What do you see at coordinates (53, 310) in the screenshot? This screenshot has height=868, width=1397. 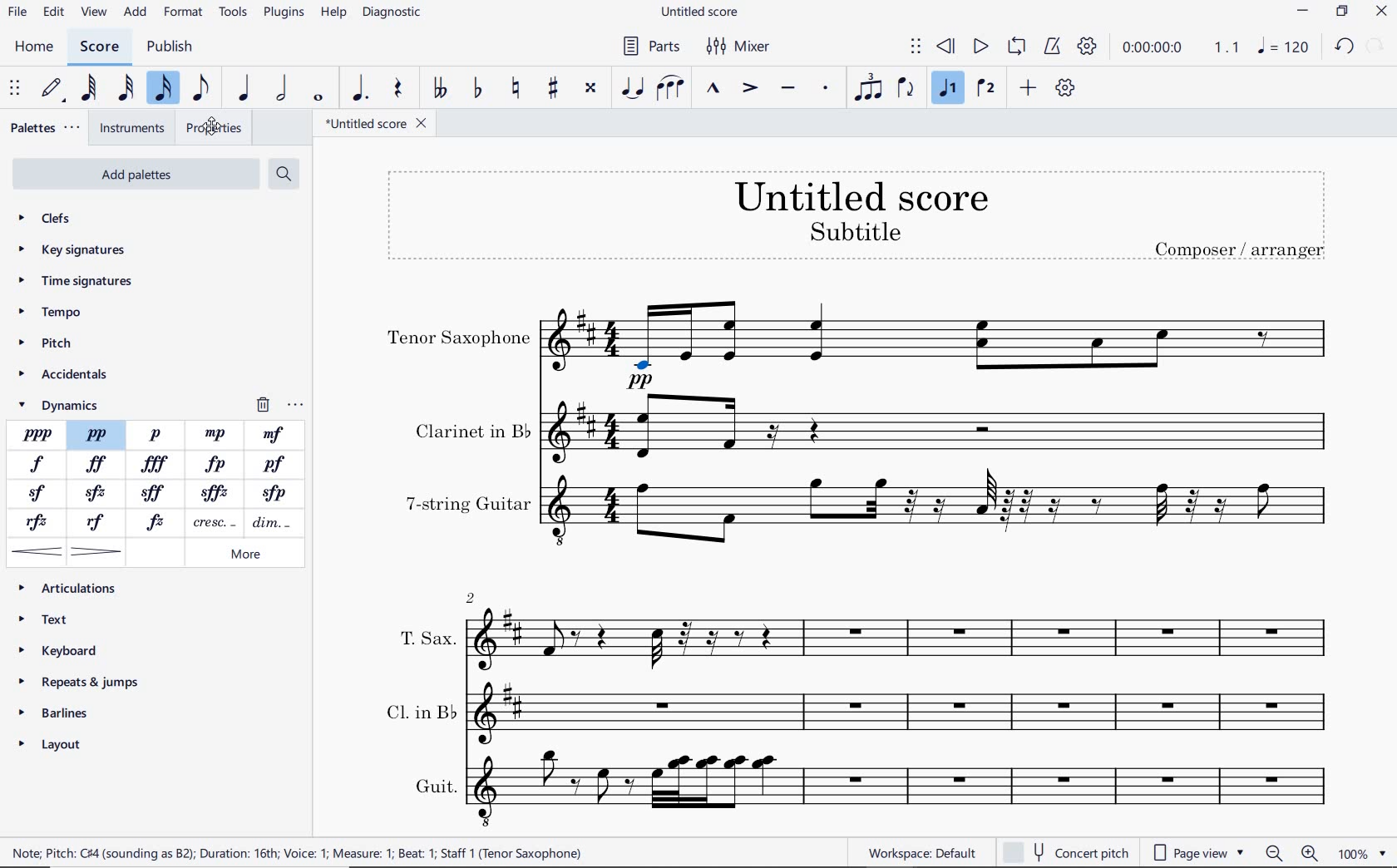 I see `tempo` at bounding box center [53, 310].